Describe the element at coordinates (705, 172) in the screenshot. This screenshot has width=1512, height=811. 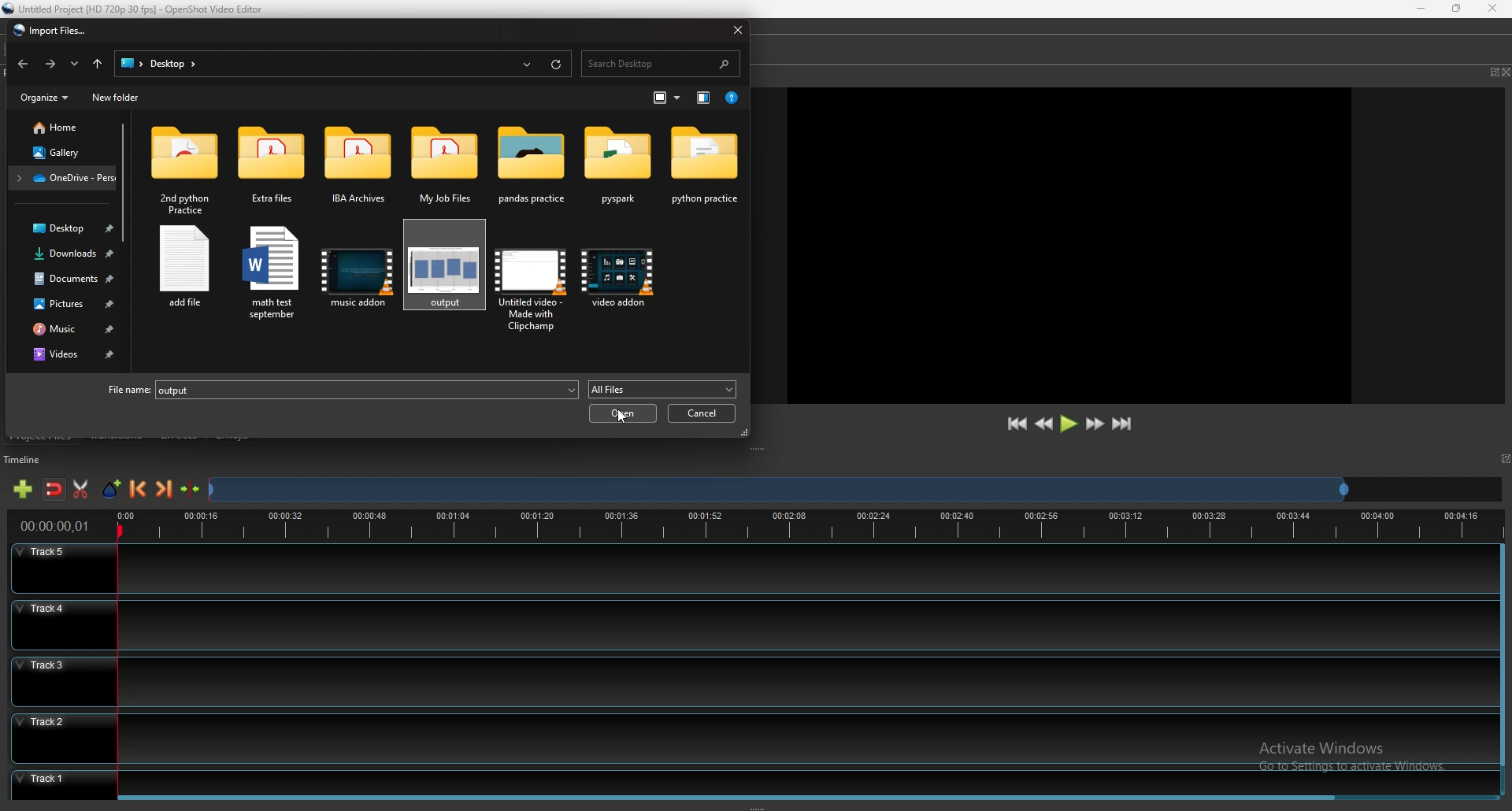
I see `folder` at that location.